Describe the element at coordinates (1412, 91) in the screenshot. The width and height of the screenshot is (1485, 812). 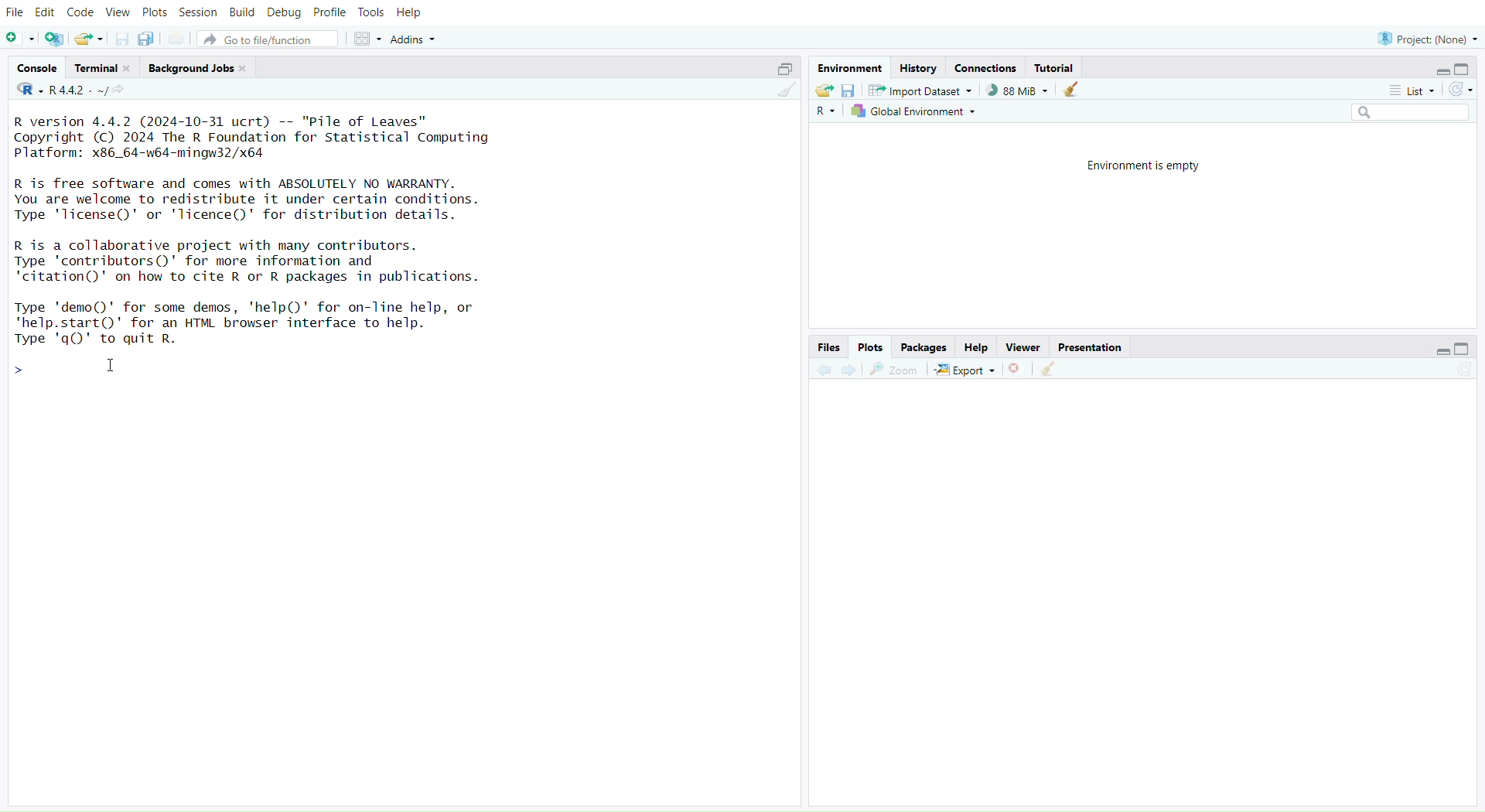
I see `list` at that location.